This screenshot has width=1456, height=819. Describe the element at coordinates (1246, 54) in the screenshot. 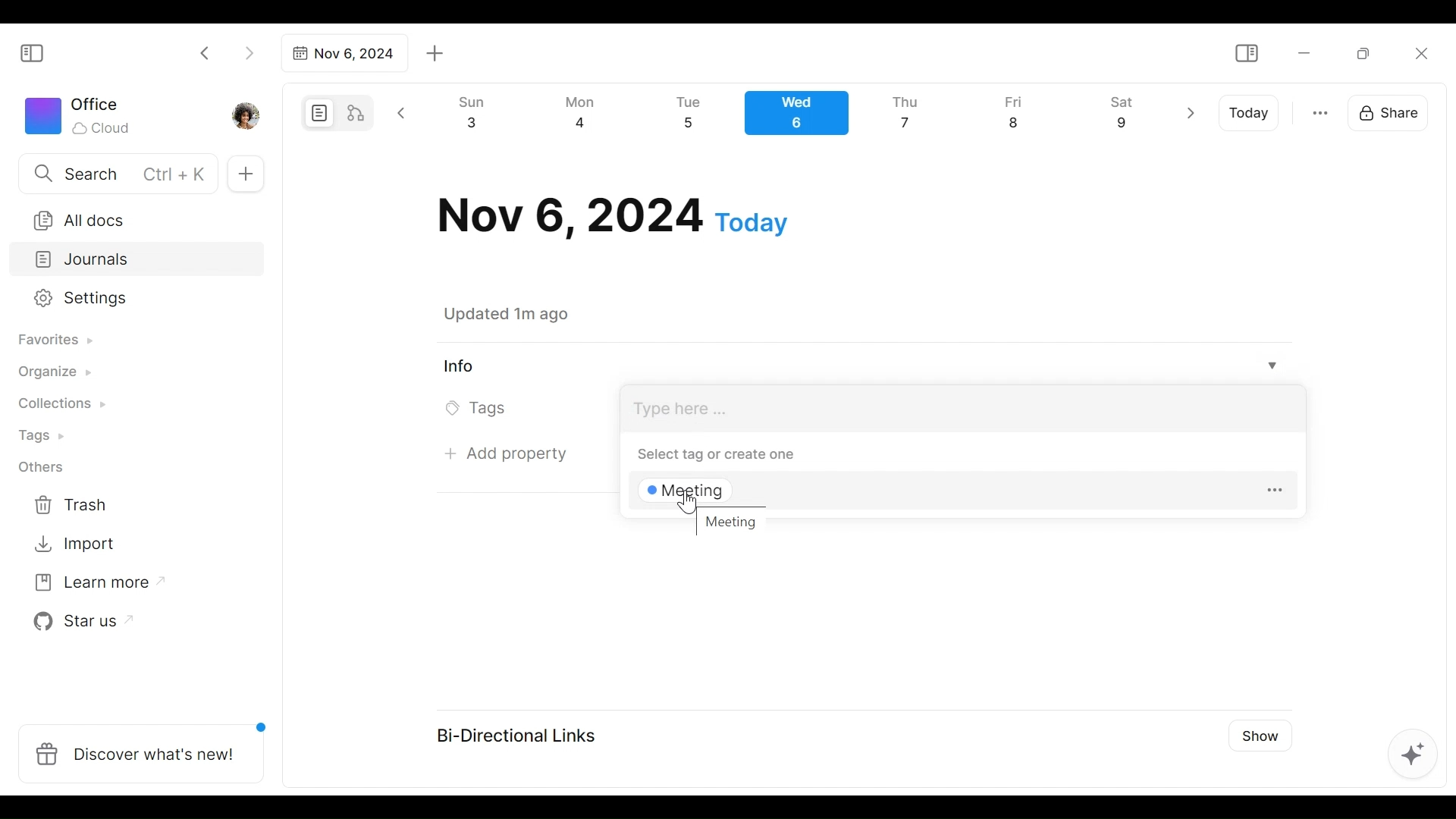

I see `Show/Hide Sidebar` at that location.